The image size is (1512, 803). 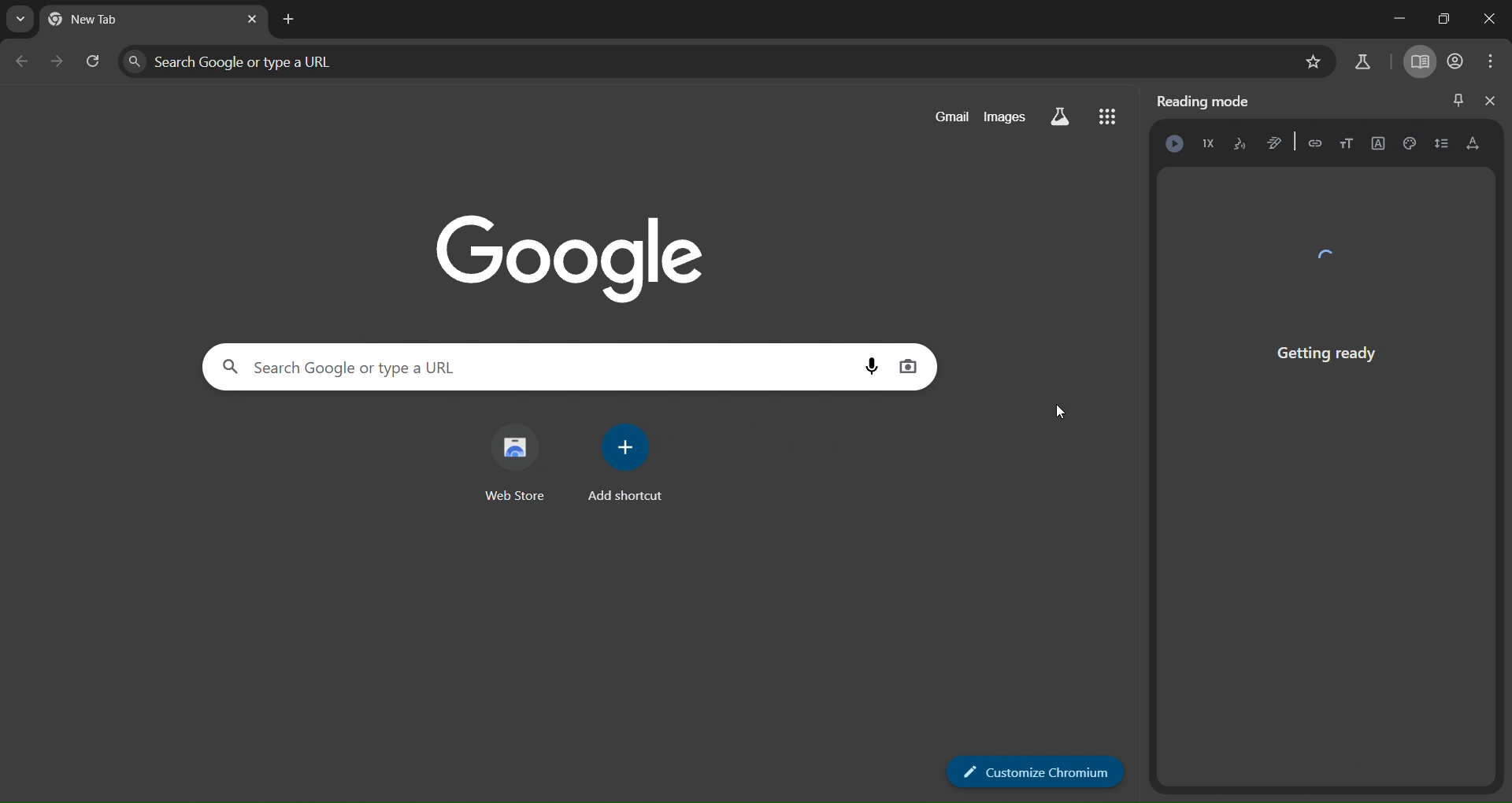 I want to click on image search, so click(x=904, y=364).